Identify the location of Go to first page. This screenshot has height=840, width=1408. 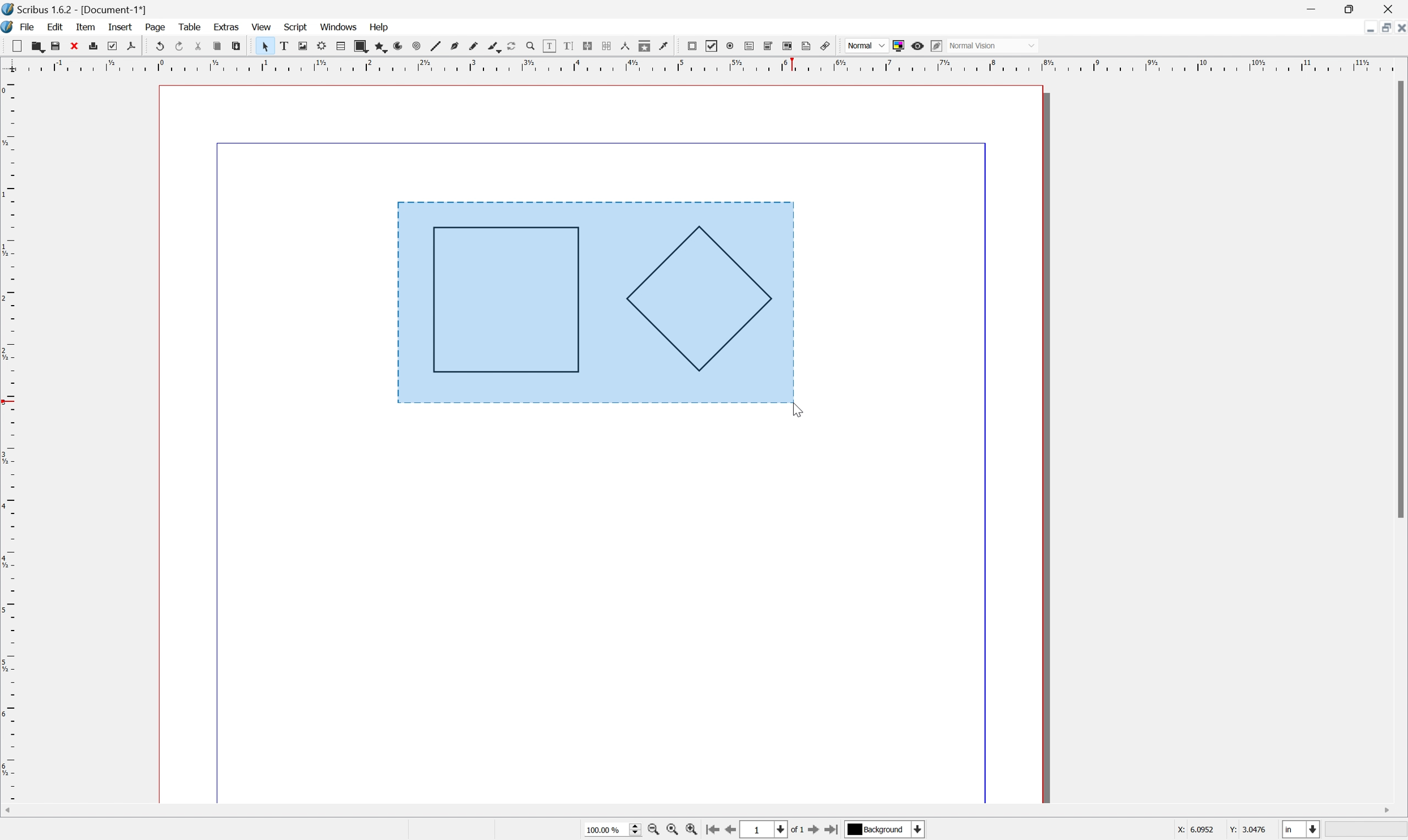
(708, 830).